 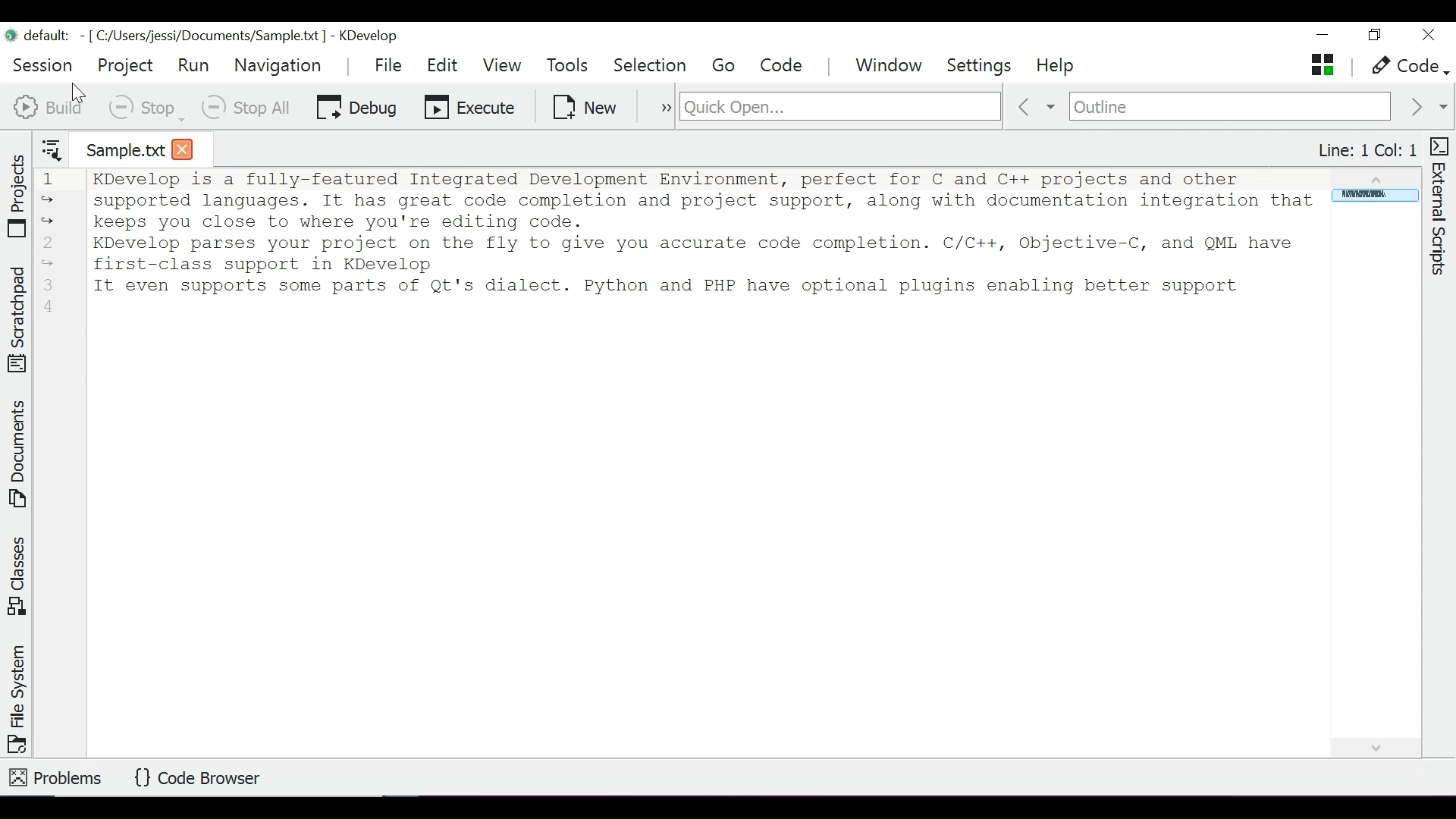 What do you see at coordinates (16, 316) in the screenshot?
I see `Toggle Scratchpad tool view` at bounding box center [16, 316].